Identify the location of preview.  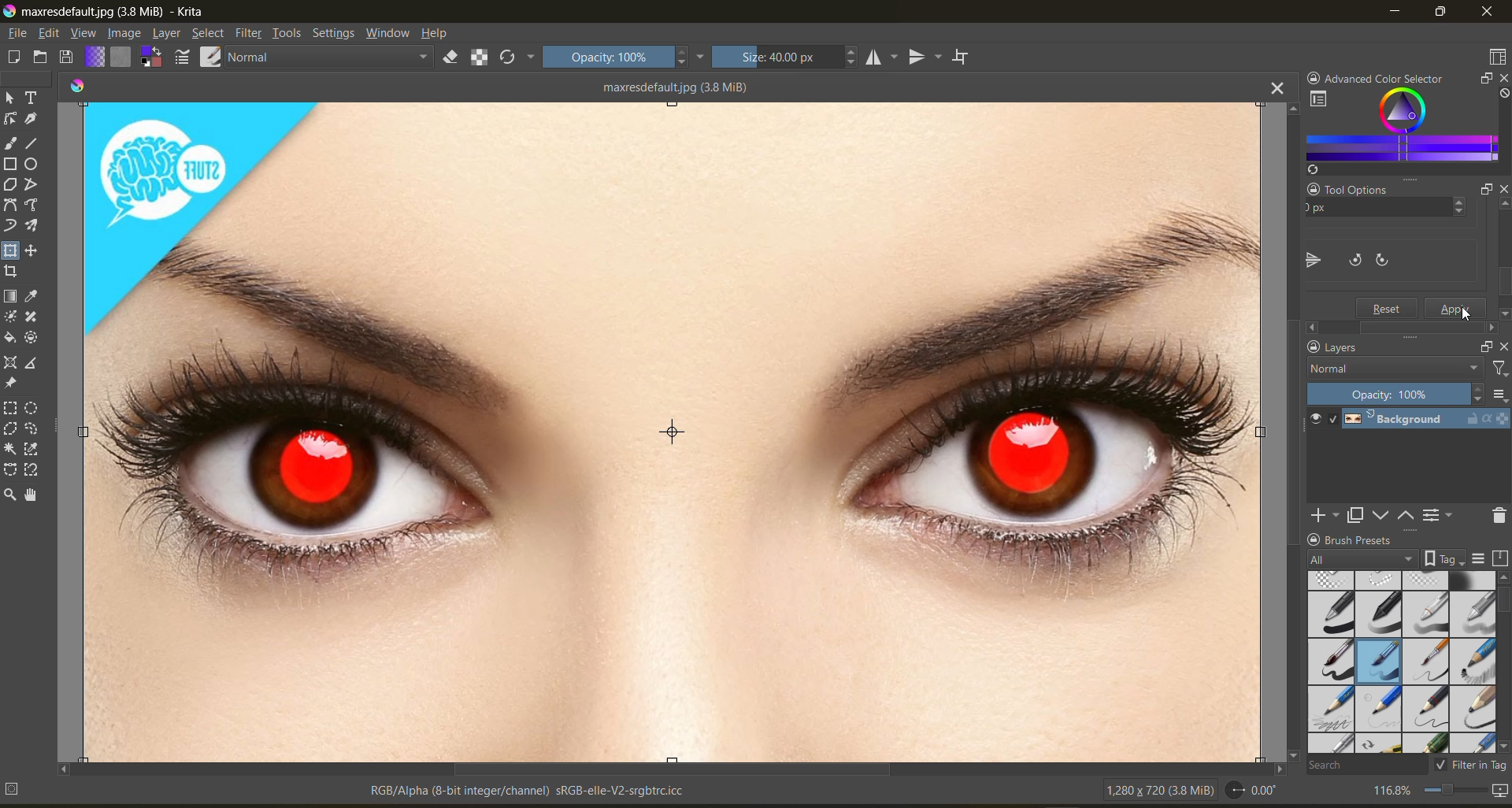
(1317, 421).